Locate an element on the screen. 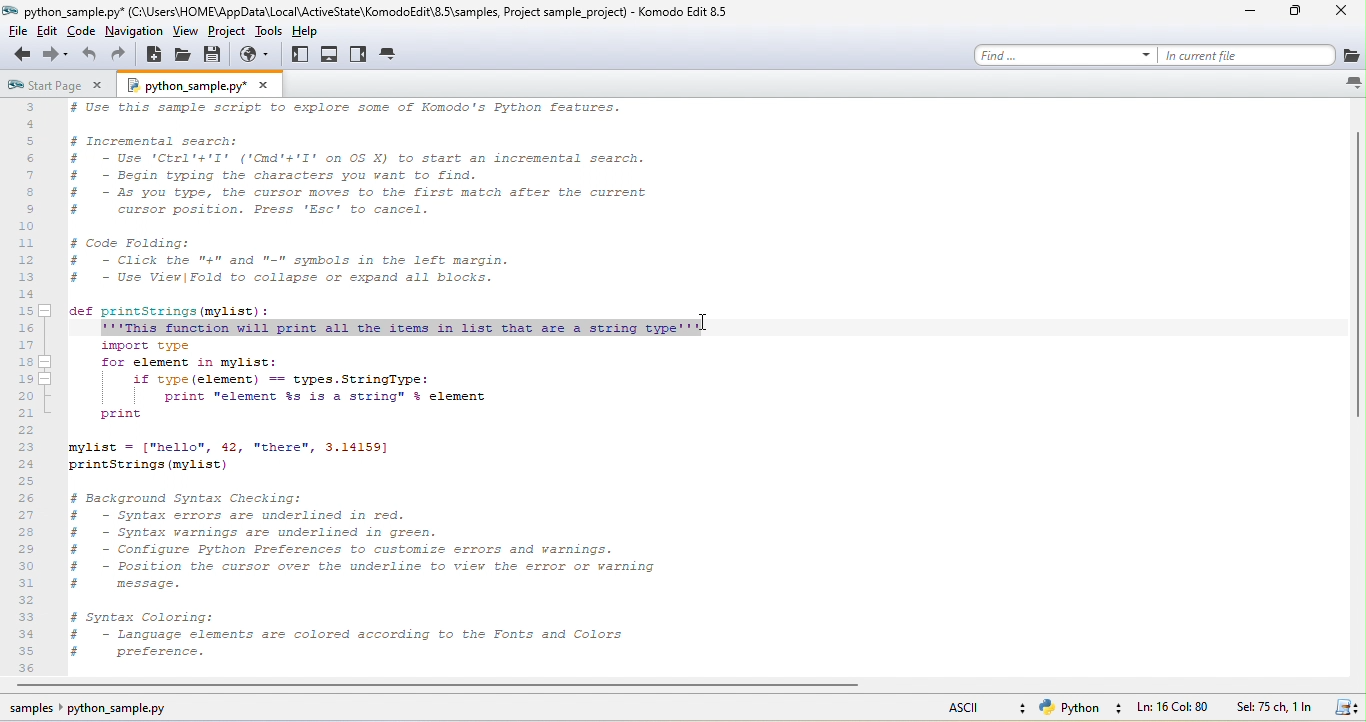 Image resolution: width=1366 pixels, height=722 pixels. bottom pane is located at coordinates (331, 56).